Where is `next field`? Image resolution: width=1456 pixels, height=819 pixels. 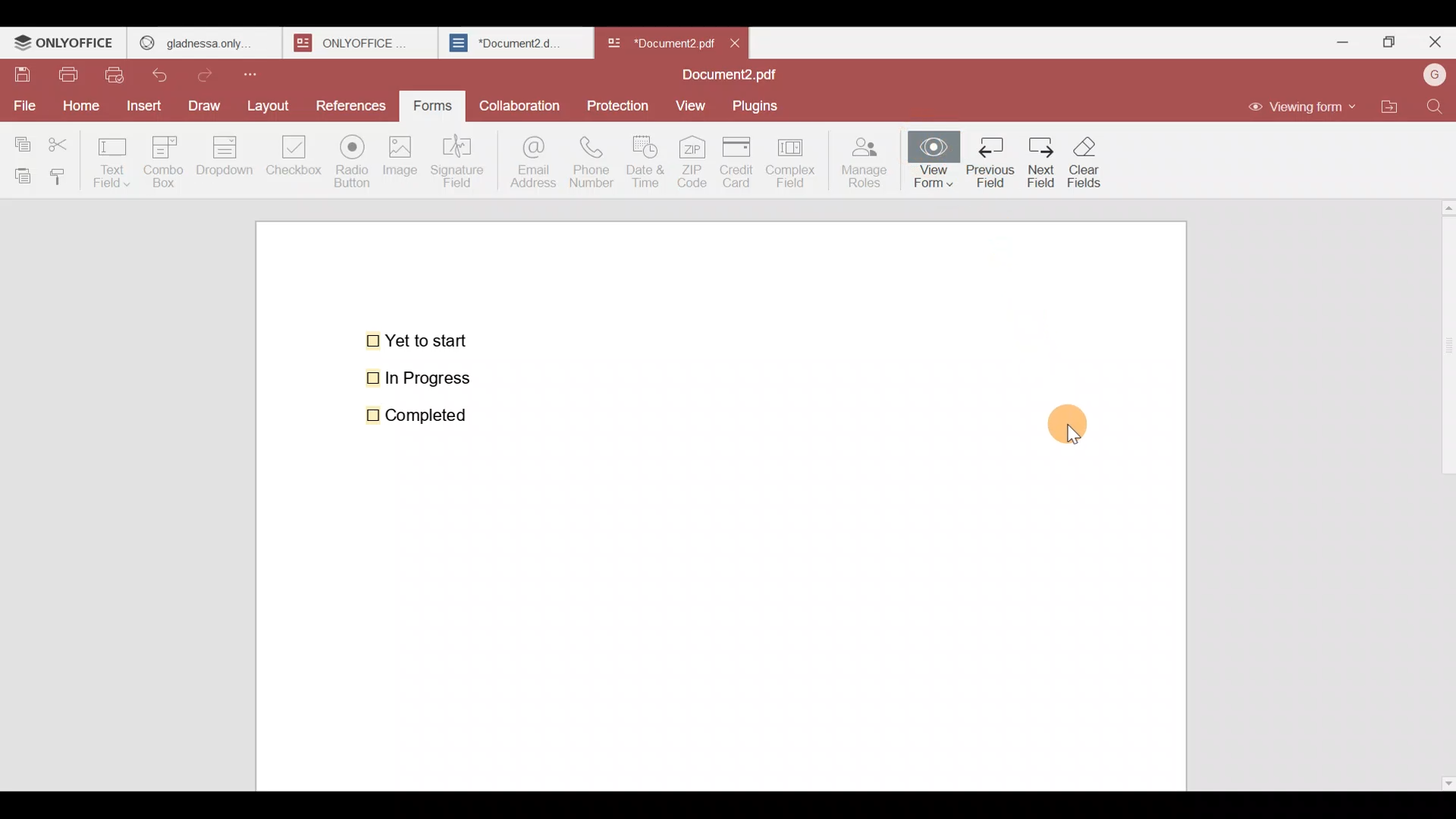 next field is located at coordinates (1039, 160).